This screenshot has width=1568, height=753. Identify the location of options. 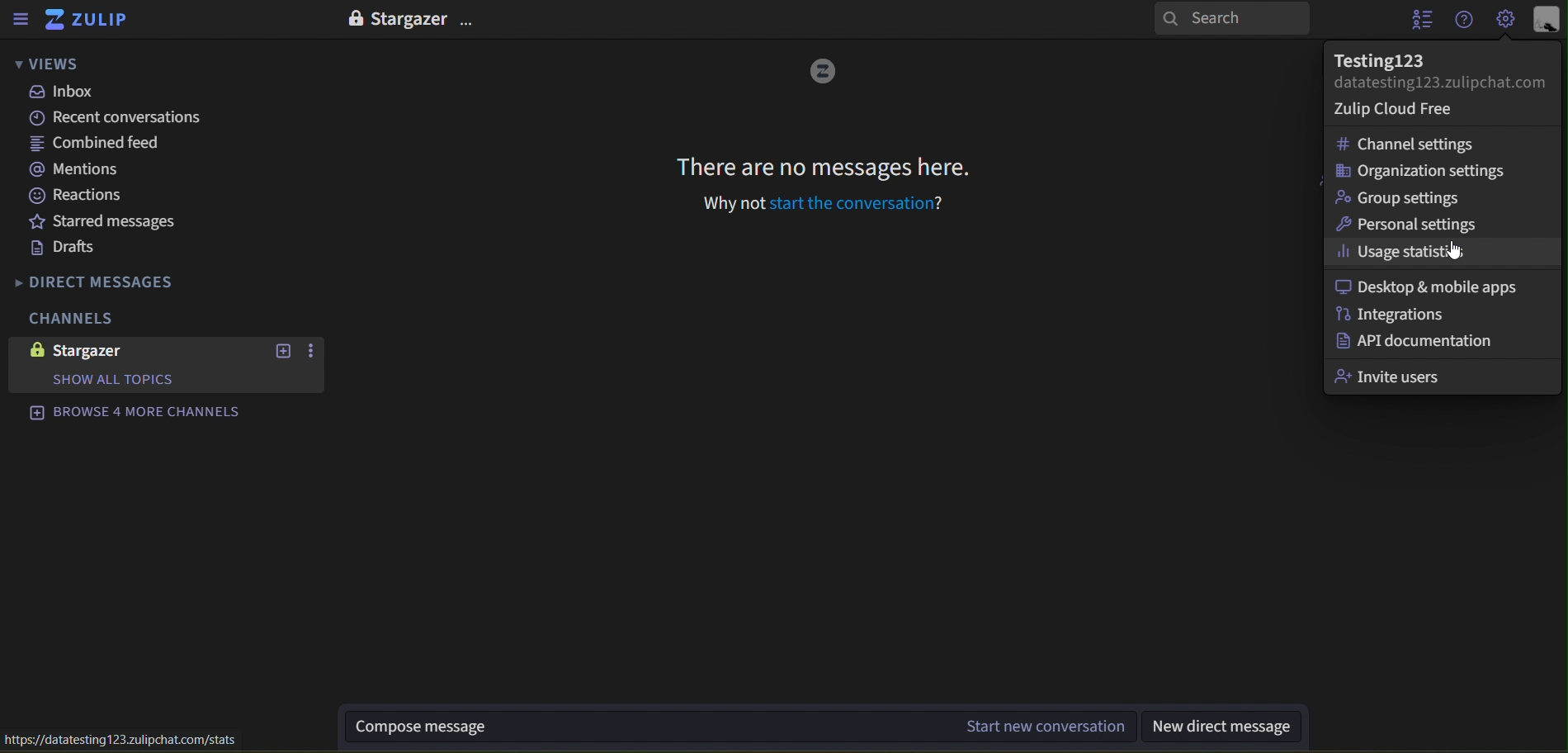
(314, 351).